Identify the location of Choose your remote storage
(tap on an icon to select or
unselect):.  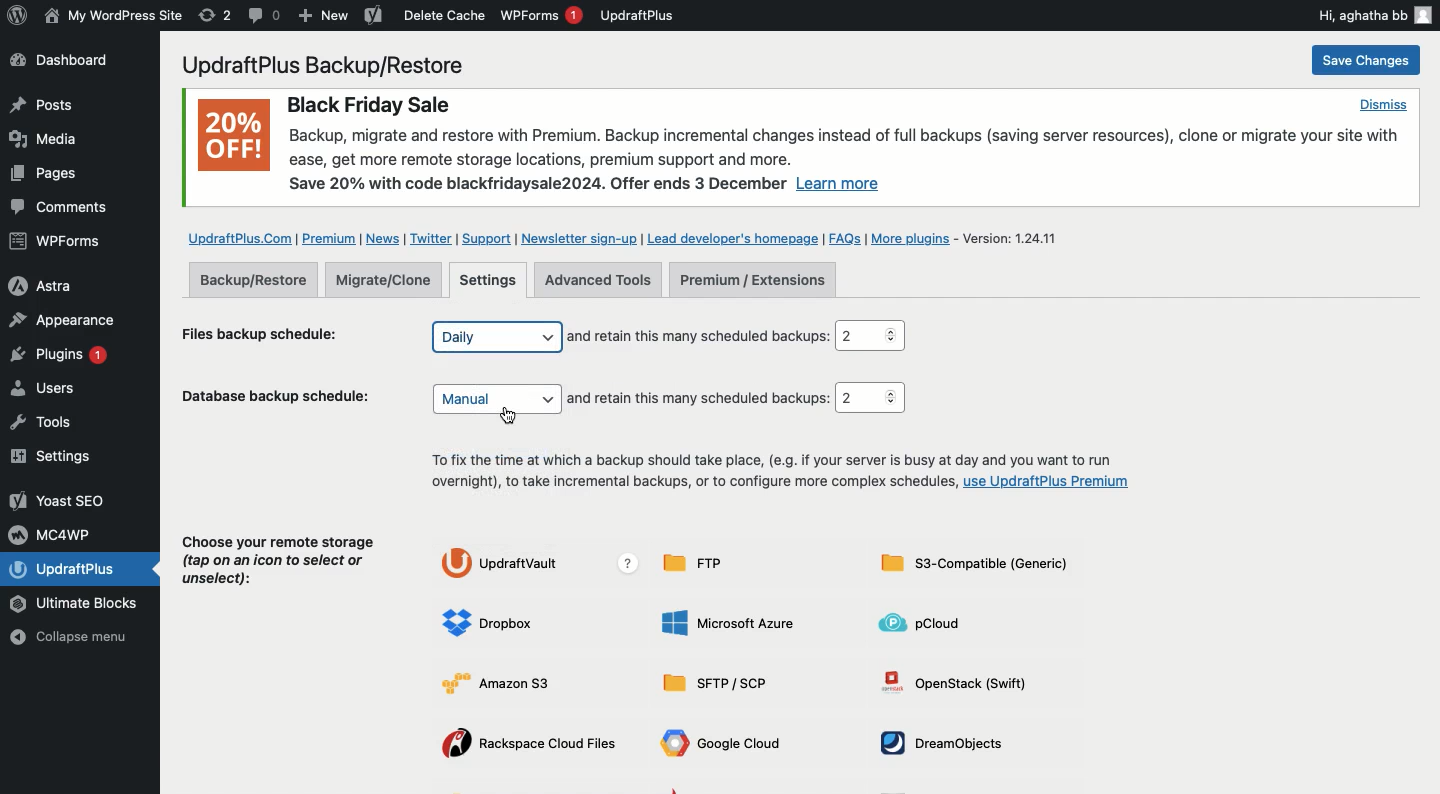
(280, 565).